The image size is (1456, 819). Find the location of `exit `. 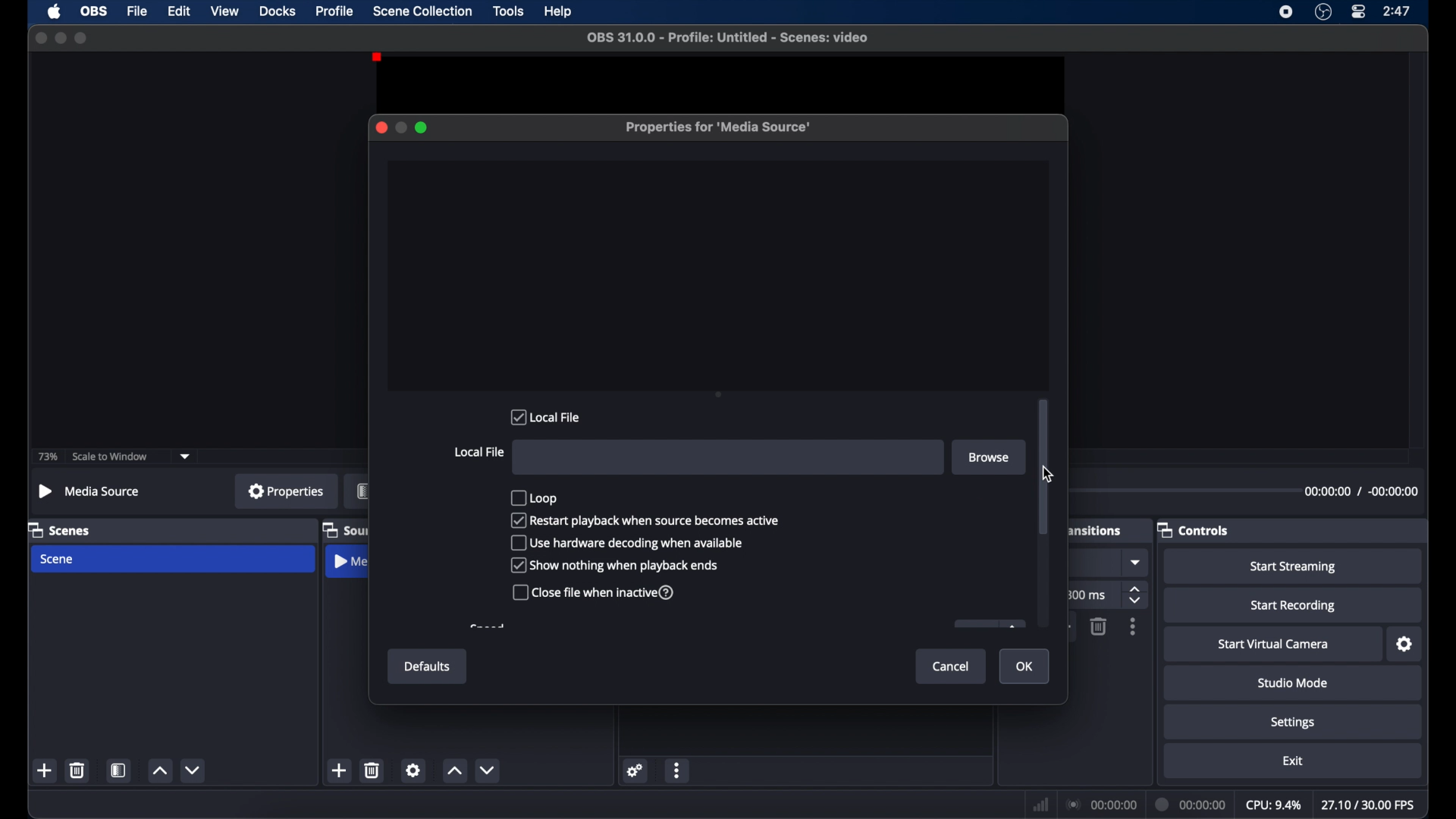

exit  is located at coordinates (1293, 761).